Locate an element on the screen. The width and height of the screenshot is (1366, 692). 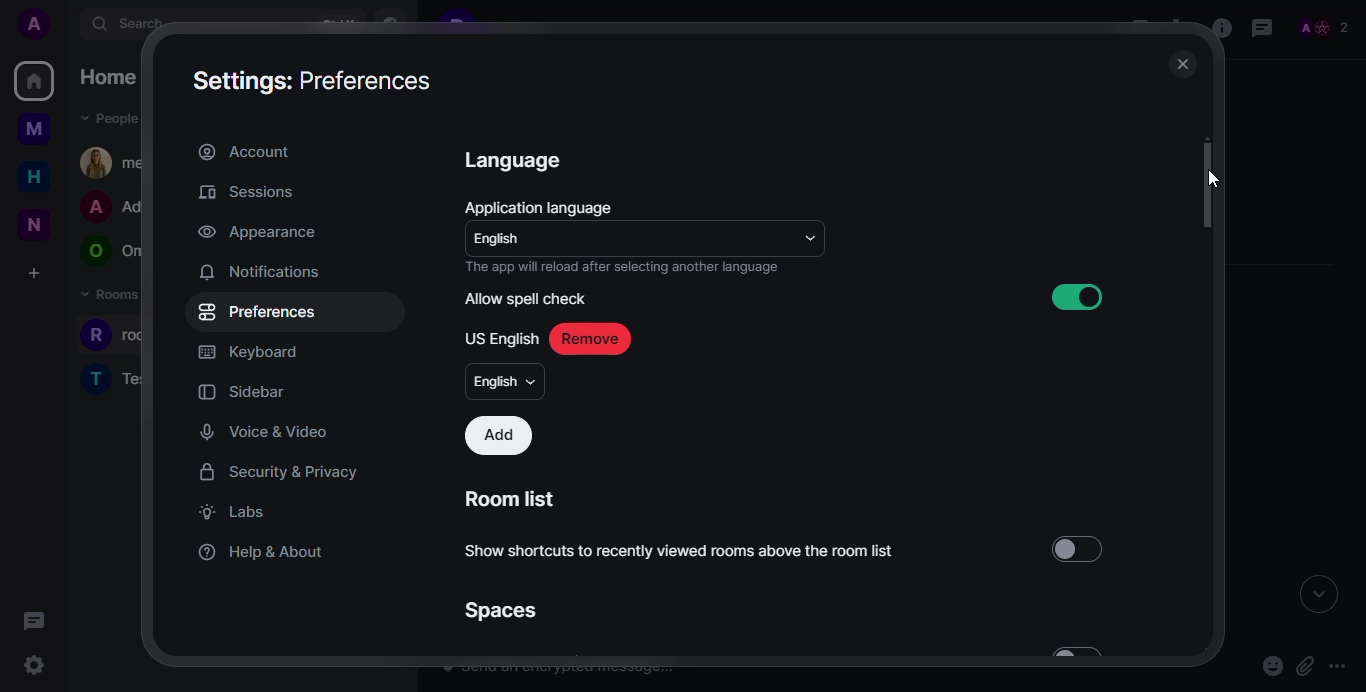
allow spell check is located at coordinates (526, 299).